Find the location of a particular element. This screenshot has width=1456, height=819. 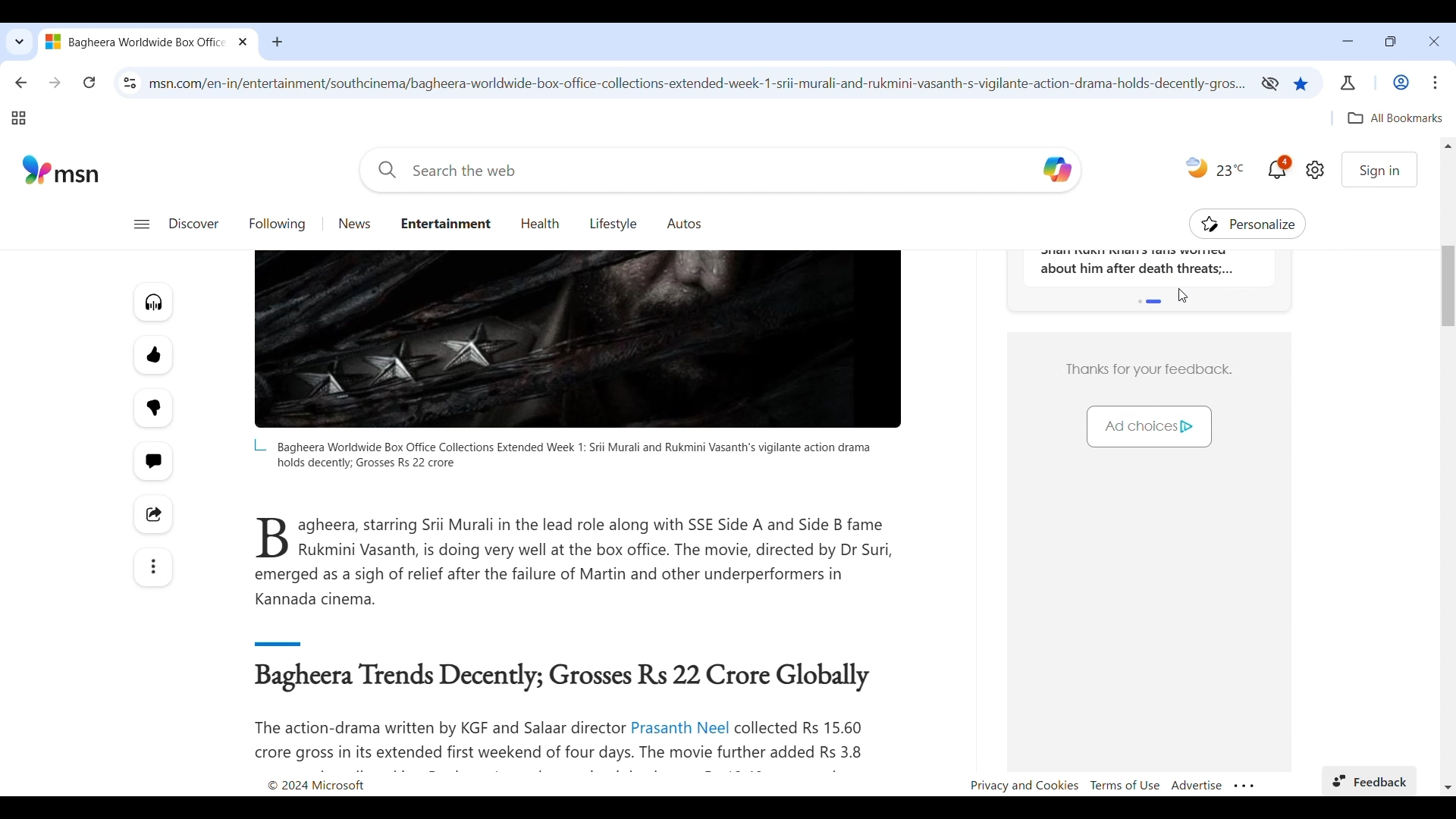

More like this article is located at coordinates (153, 355).